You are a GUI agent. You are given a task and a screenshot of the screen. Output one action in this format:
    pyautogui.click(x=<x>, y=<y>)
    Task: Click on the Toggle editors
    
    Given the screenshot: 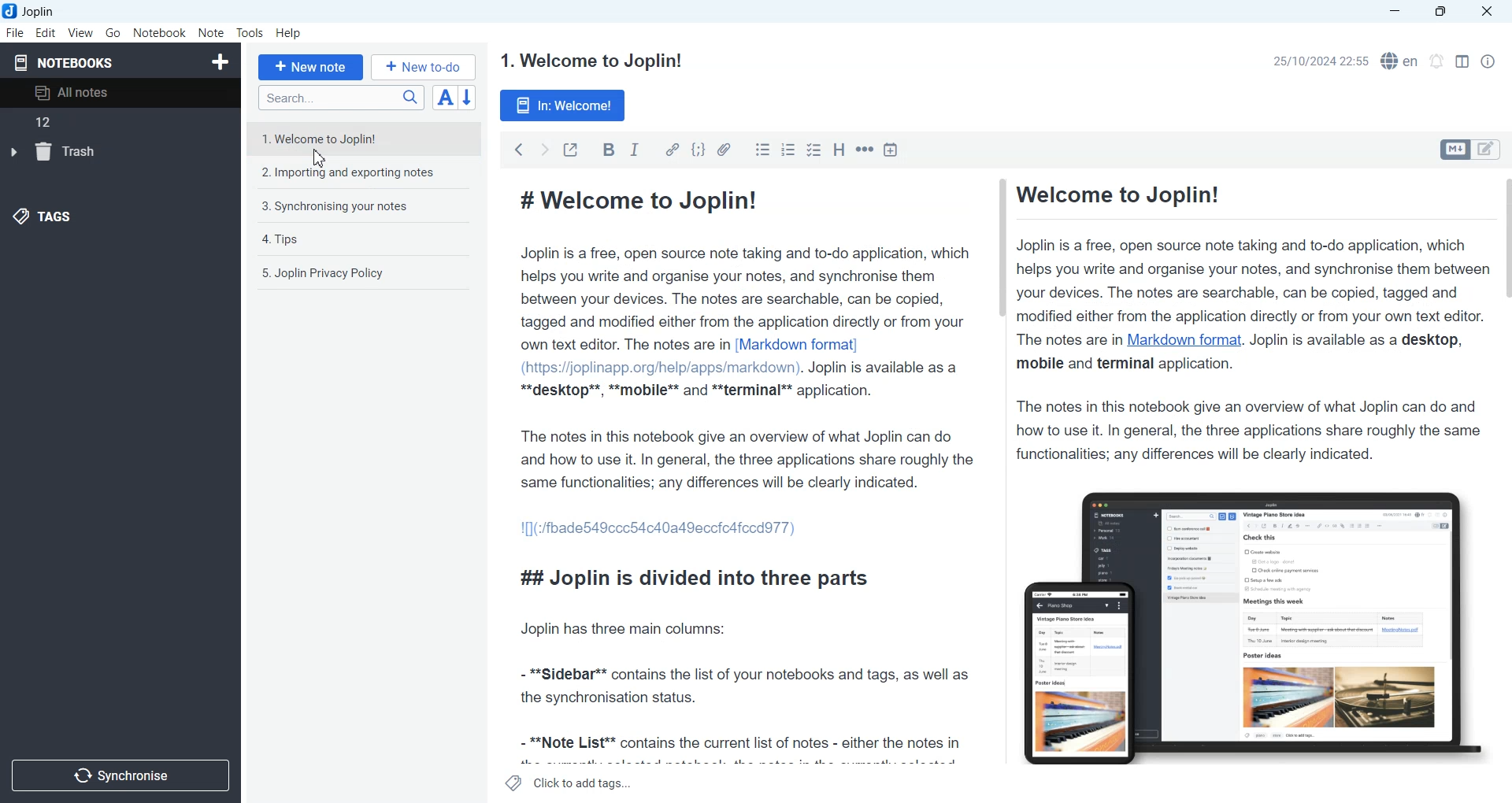 What is the action you would take?
    pyautogui.click(x=1489, y=150)
    